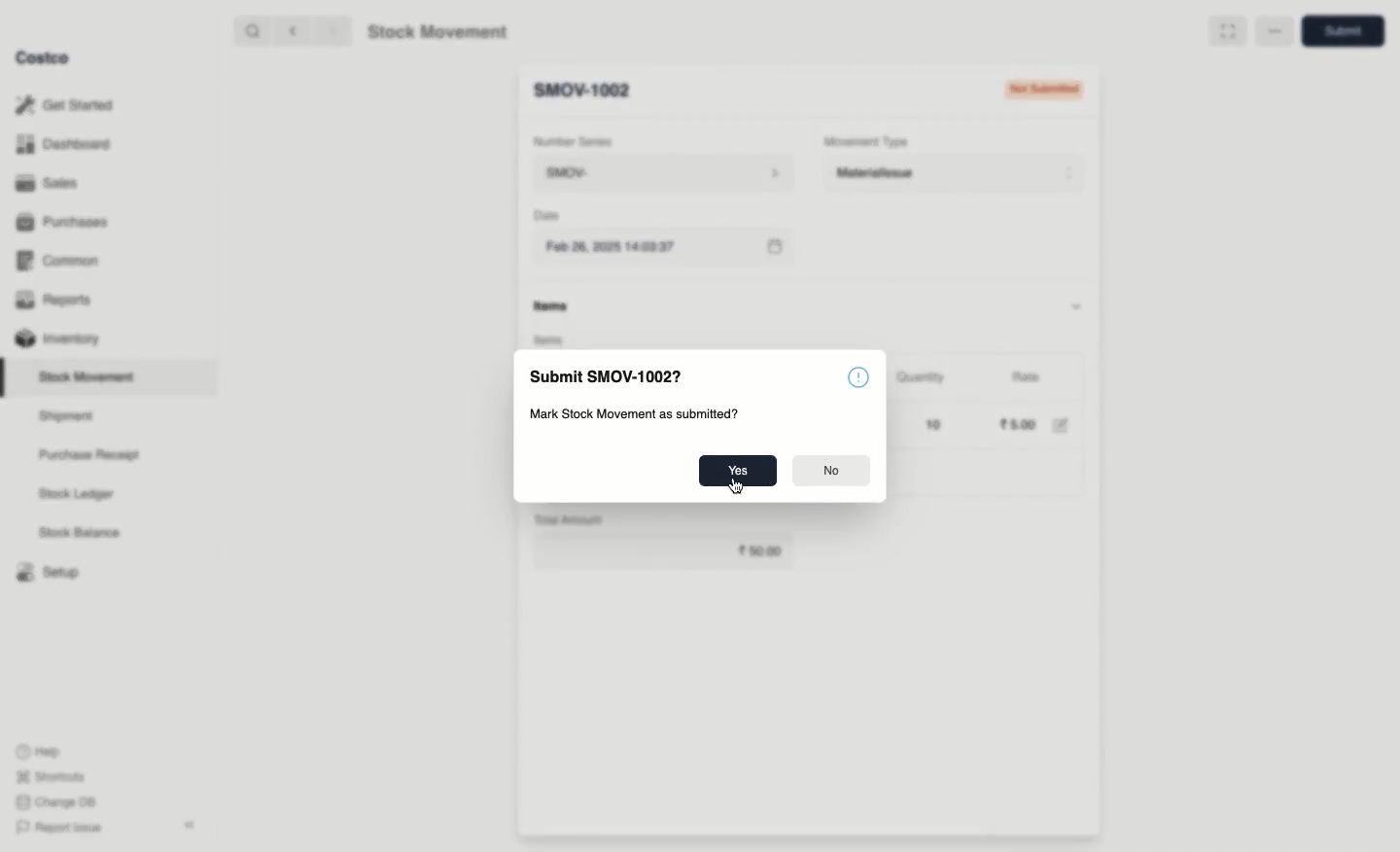 Image resolution: width=1400 pixels, height=852 pixels. What do you see at coordinates (1227, 32) in the screenshot?
I see `Full width toggle` at bounding box center [1227, 32].